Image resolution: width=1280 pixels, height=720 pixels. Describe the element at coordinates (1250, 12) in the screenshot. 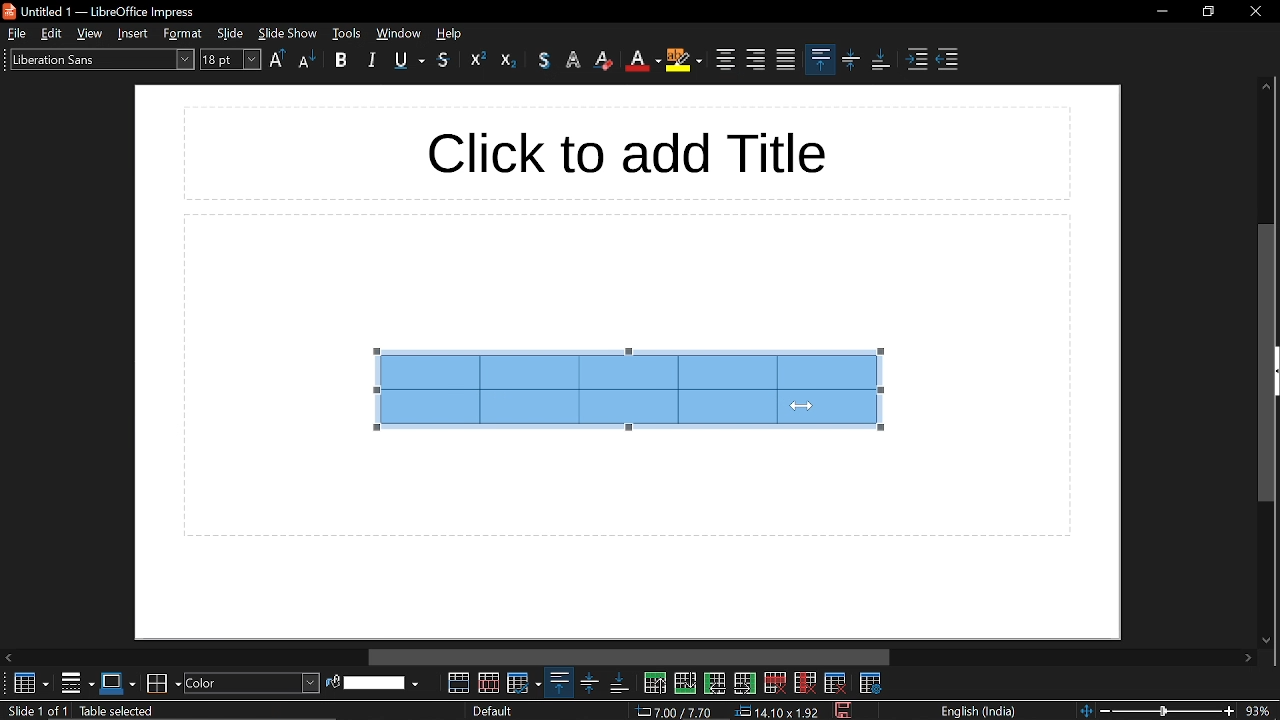

I see `close` at that location.